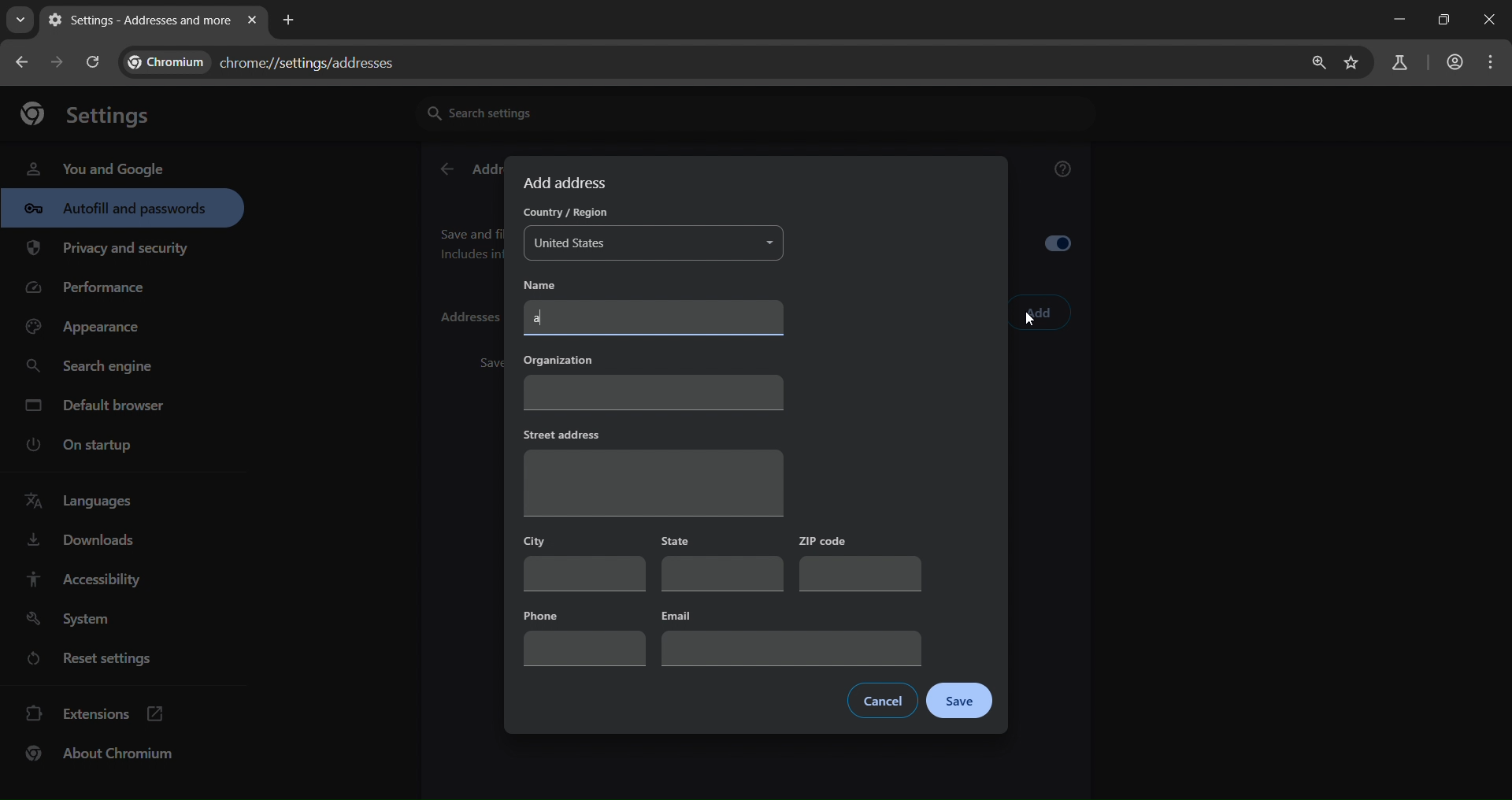  What do you see at coordinates (857, 562) in the screenshot?
I see `zip code` at bounding box center [857, 562].